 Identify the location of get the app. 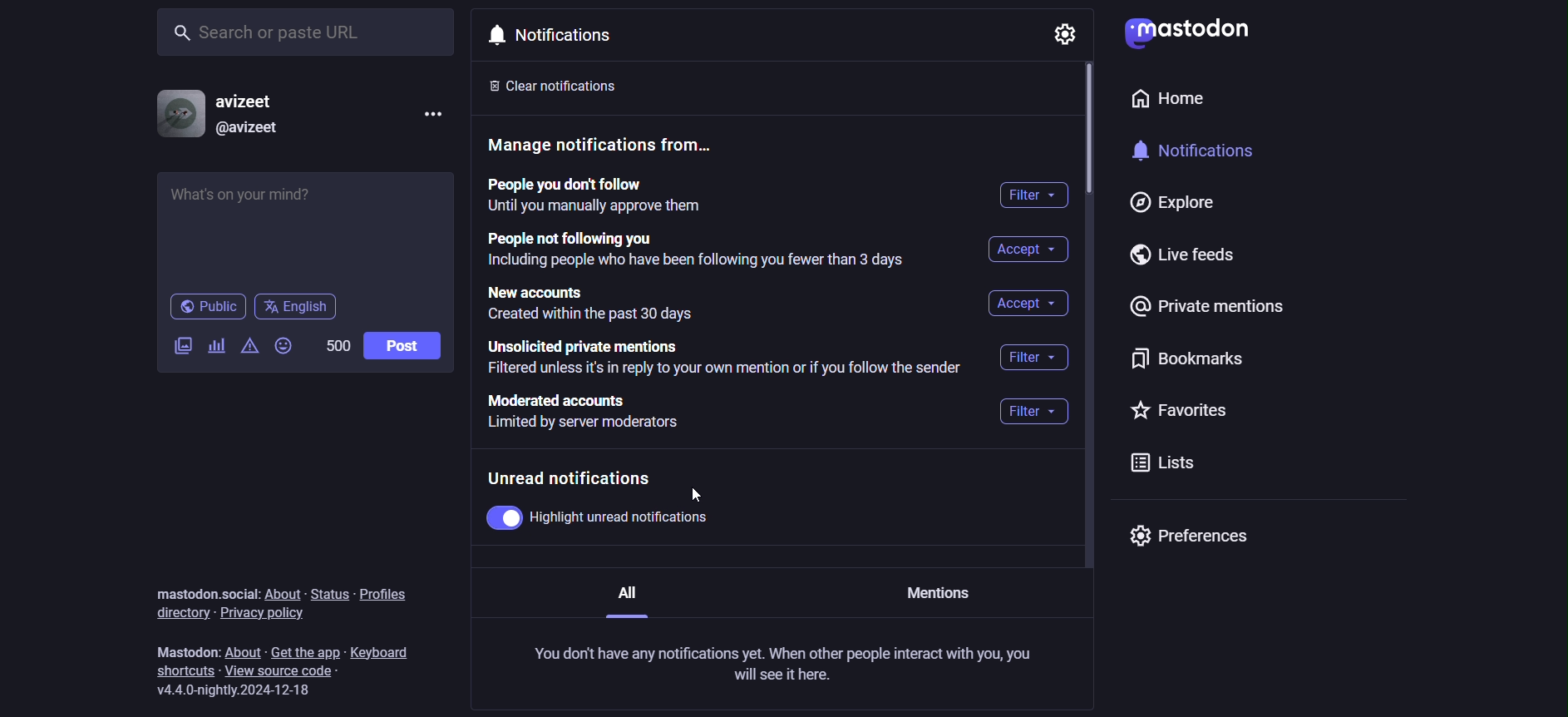
(307, 651).